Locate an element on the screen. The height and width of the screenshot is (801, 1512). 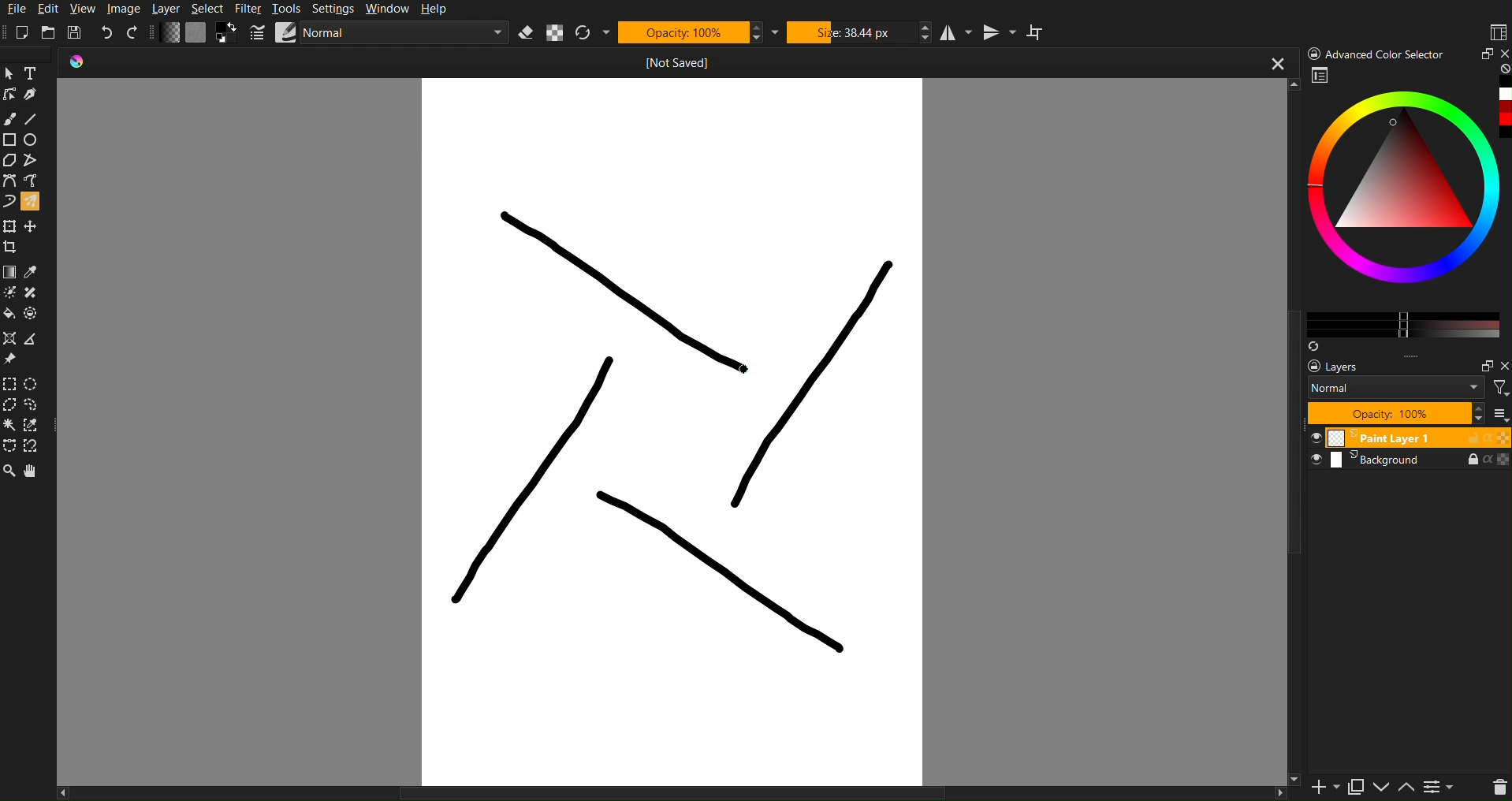
workspace is located at coordinates (1321, 77).